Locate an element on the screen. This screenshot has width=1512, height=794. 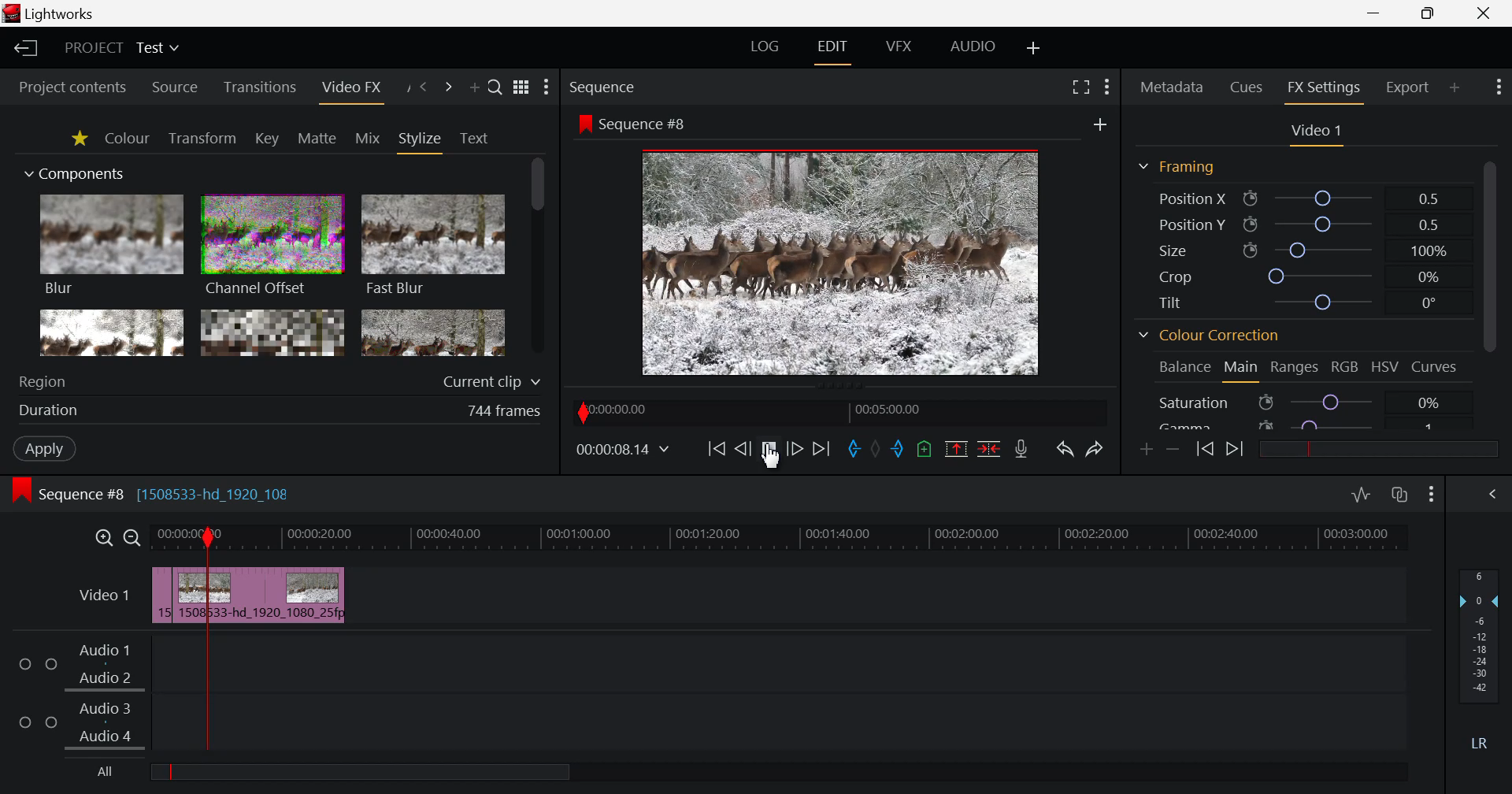
Colour is located at coordinates (128, 138).